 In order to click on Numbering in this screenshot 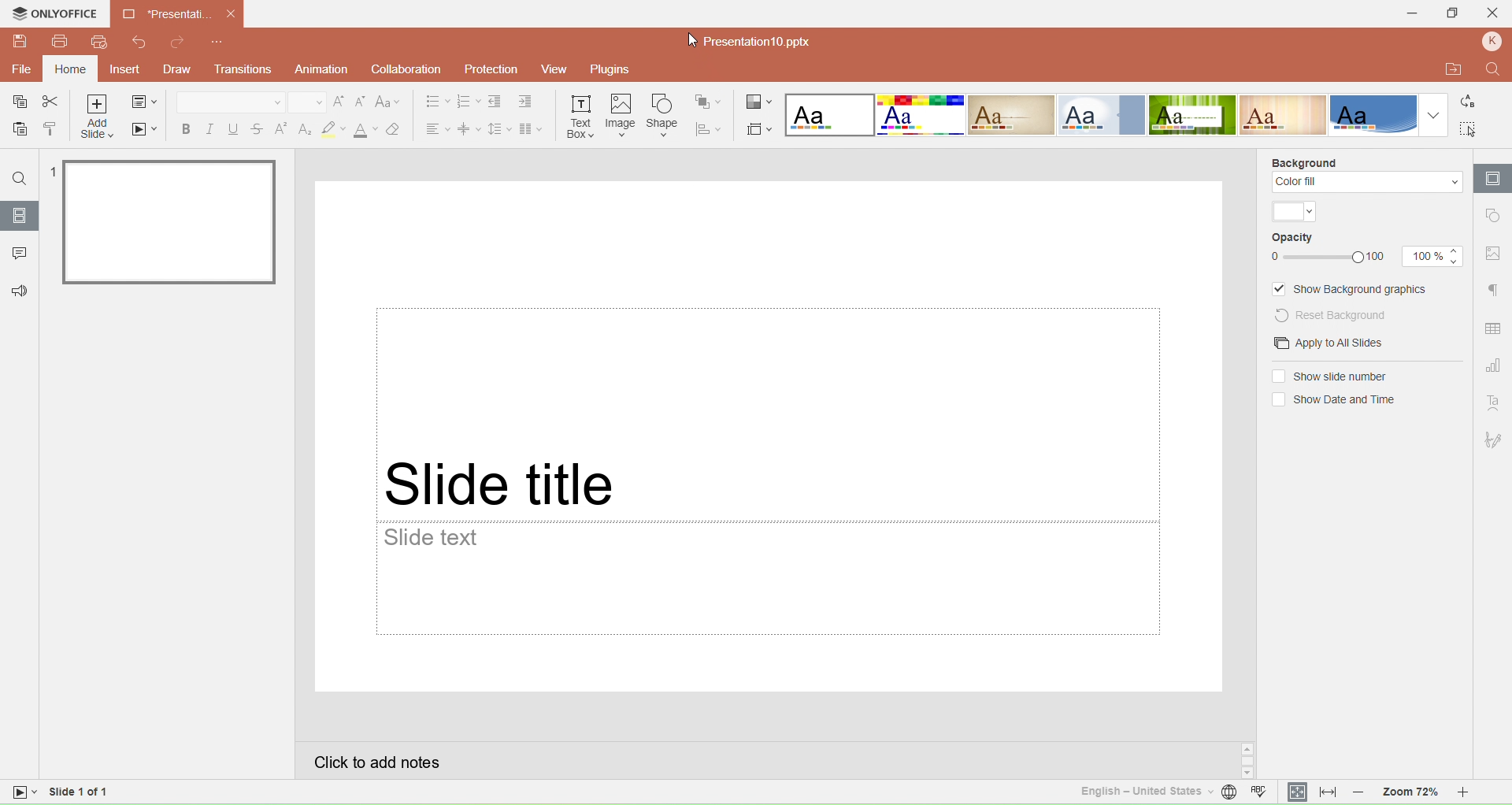, I will do `click(468, 102)`.